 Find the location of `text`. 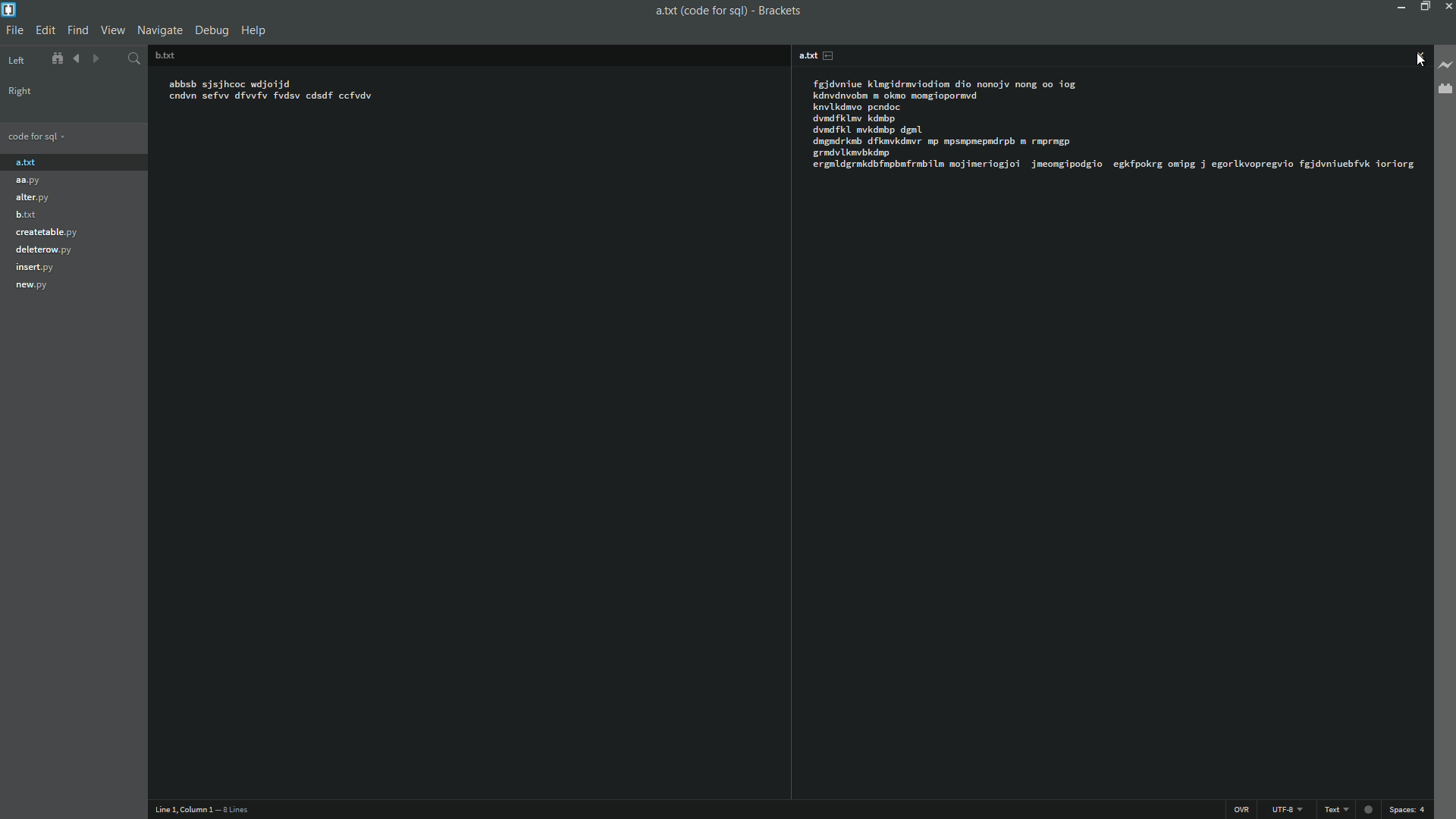

text is located at coordinates (1335, 810).